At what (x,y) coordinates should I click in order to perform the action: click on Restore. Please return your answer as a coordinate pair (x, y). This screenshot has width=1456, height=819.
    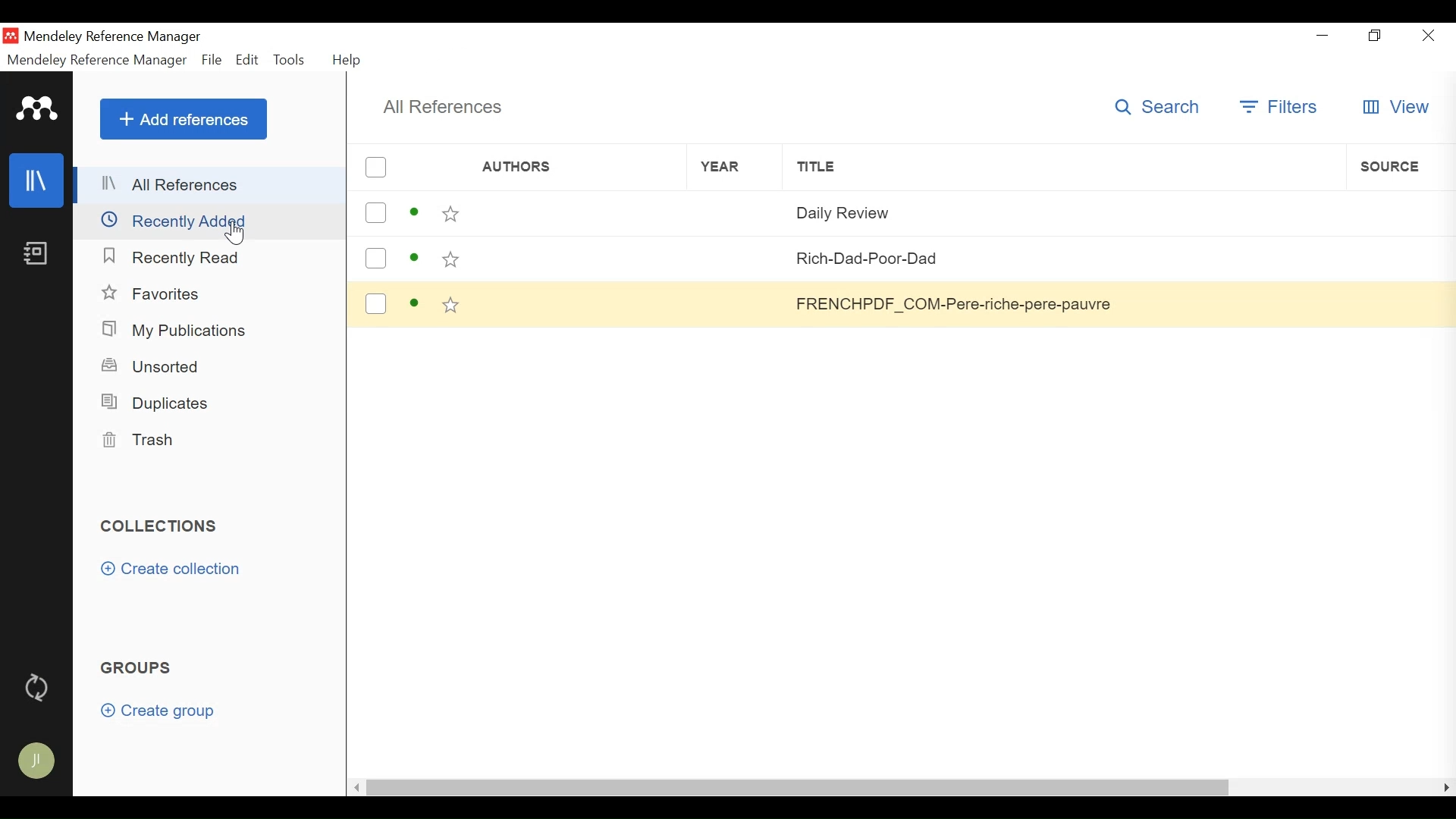
    Looking at the image, I should click on (1375, 36).